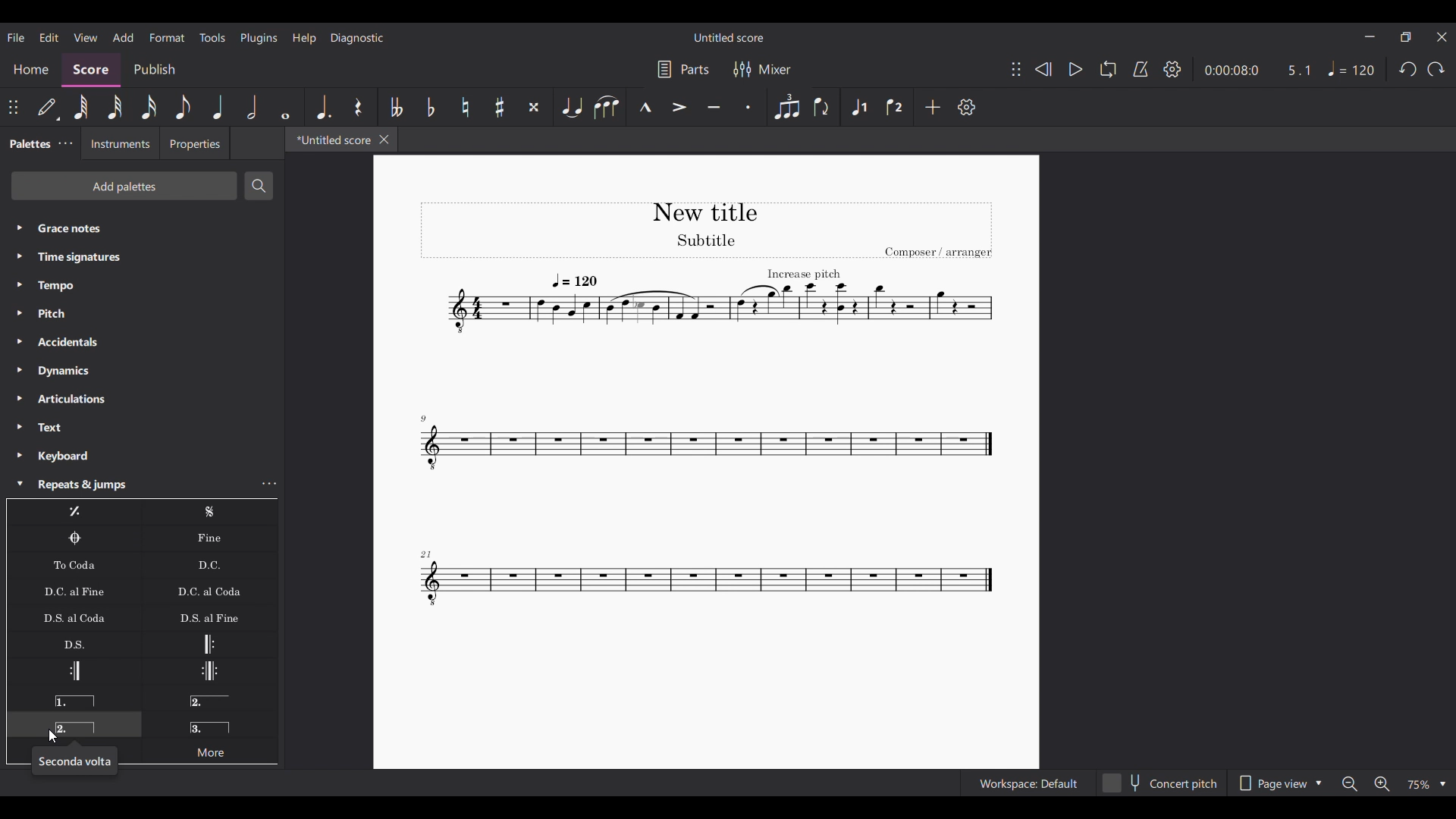 Image resolution: width=1456 pixels, height=819 pixels. What do you see at coordinates (331, 139) in the screenshot?
I see `*Untitled score, current tab` at bounding box center [331, 139].